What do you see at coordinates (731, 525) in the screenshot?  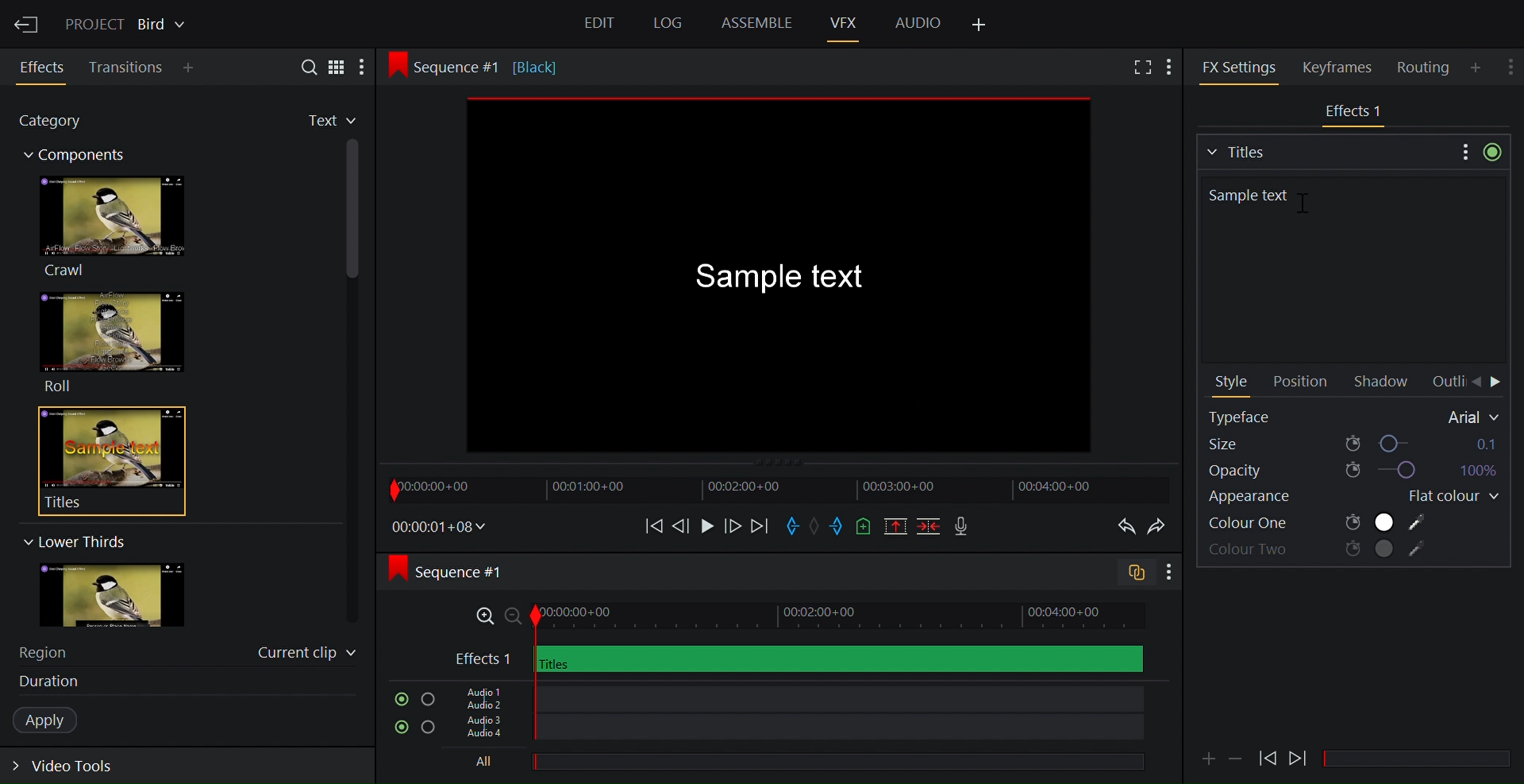 I see `Nudge one frame forward` at bounding box center [731, 525].